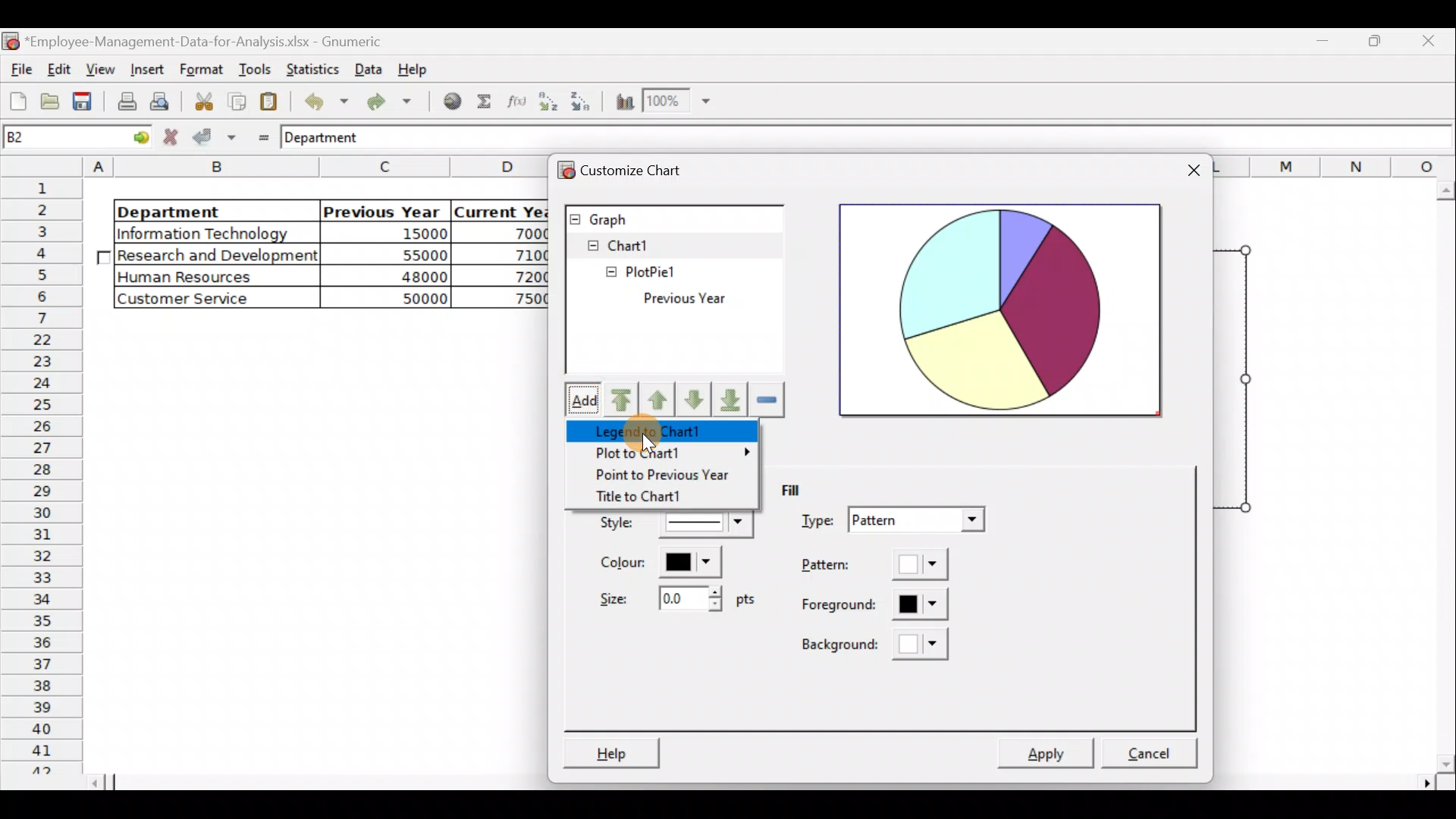 This screenshot has width=1456, height=819. Describe the element at coordinates (382, 209) in the screenshot. I see `Previous Year` at that location.